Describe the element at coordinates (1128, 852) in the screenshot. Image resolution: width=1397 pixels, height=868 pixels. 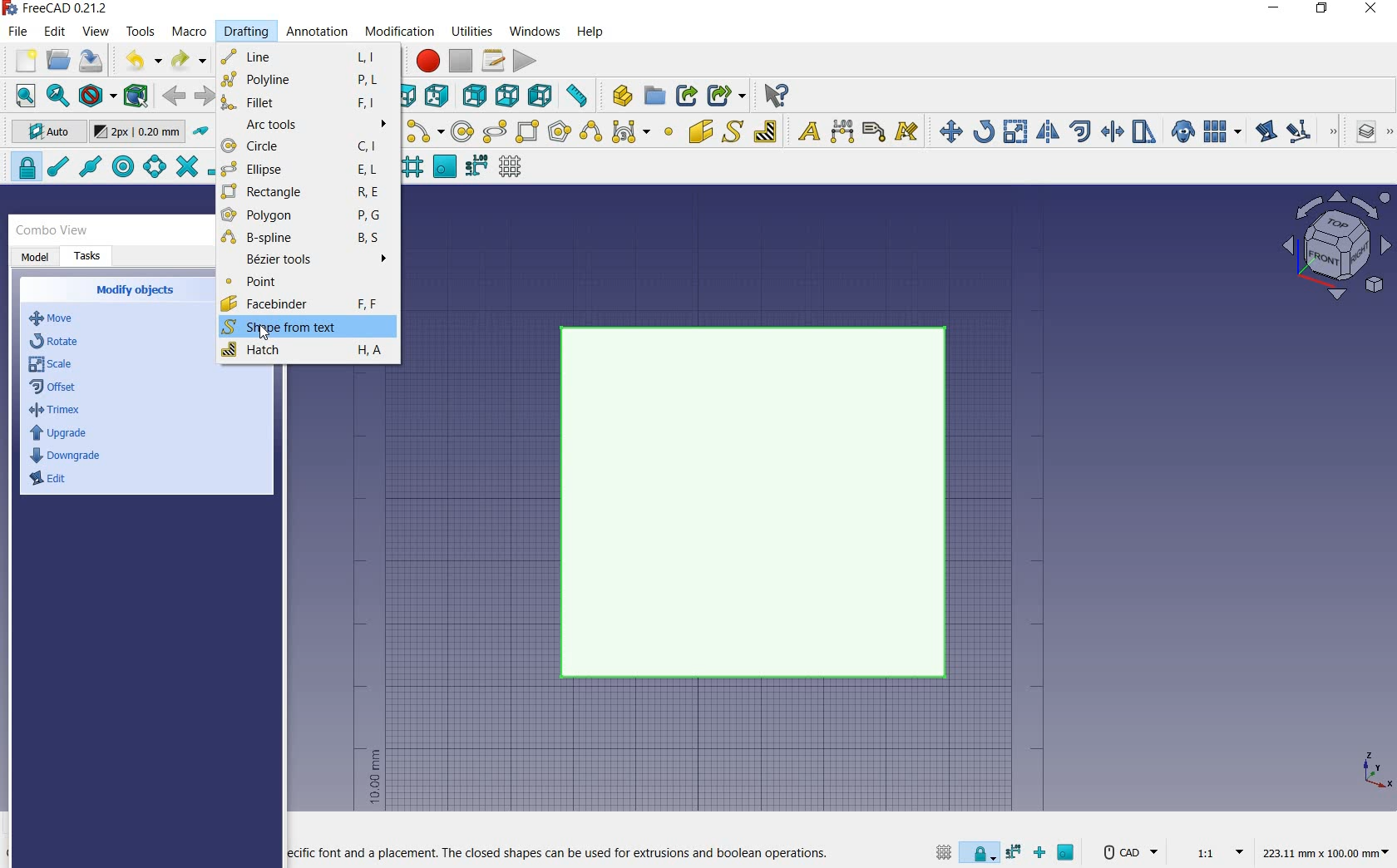
I see `CAD Navigation Style` at that location.